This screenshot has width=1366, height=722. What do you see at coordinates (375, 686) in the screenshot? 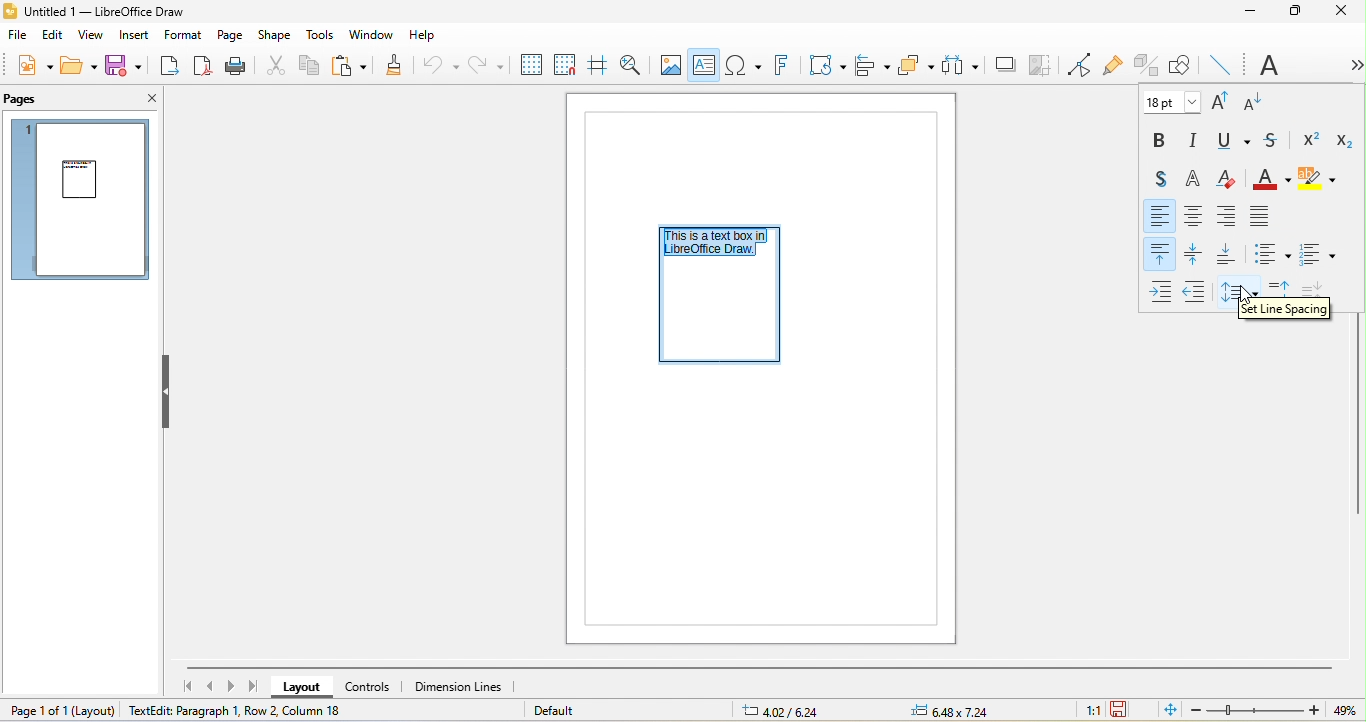
I see `controls` at bounding box center [375, 686].